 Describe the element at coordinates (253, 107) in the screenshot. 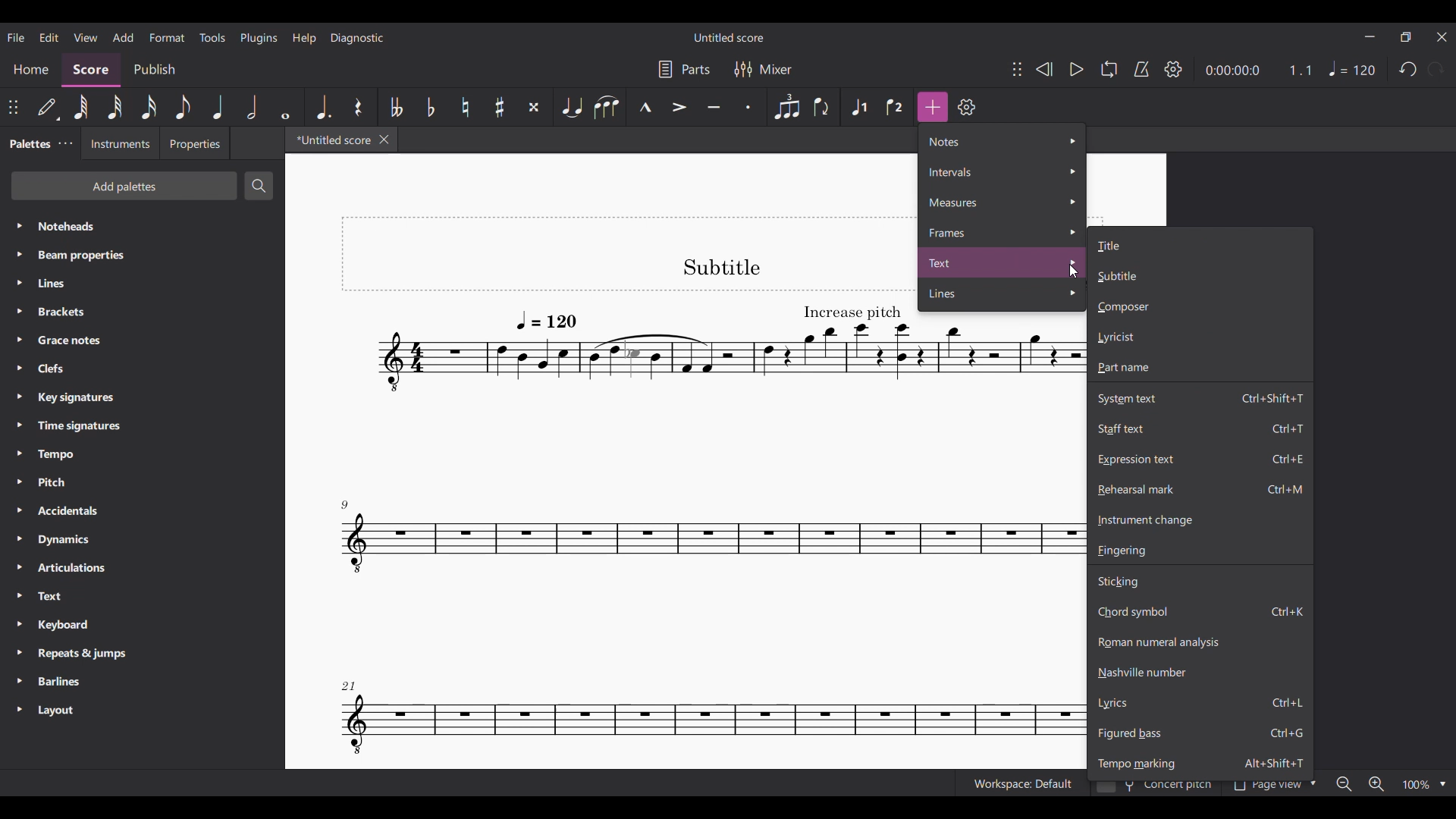

I see `Half note` at that location.